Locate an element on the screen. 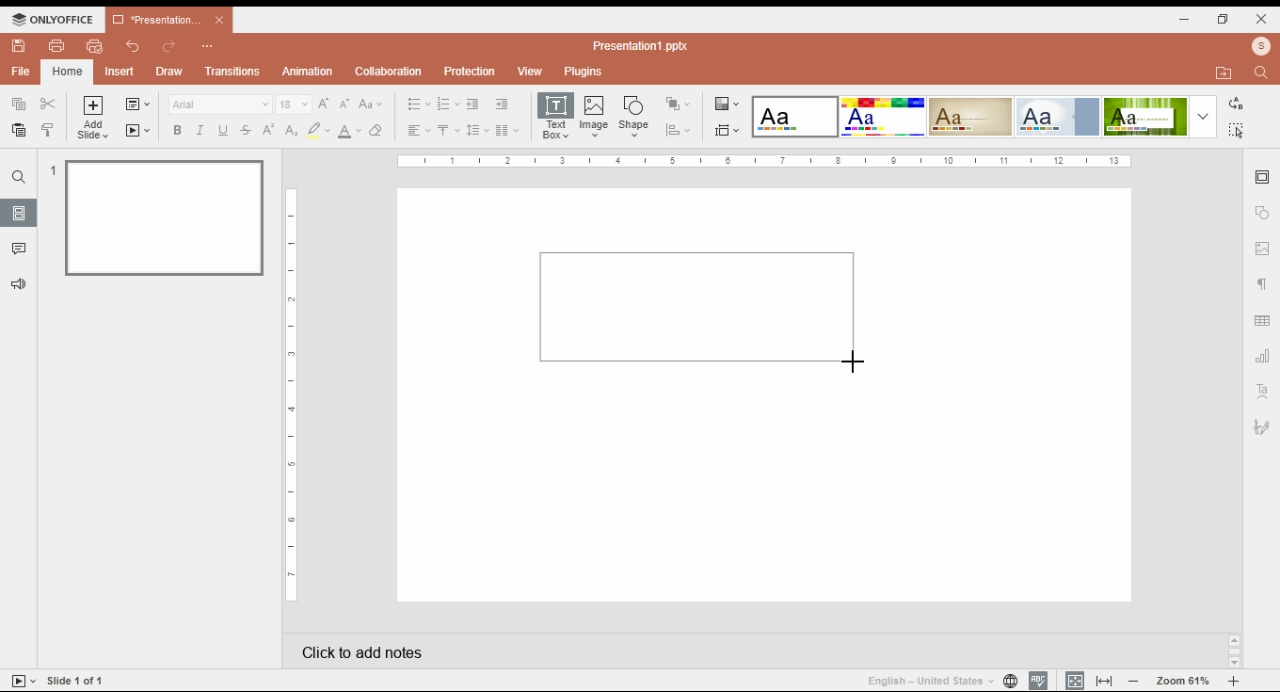  *Presentation... is located at coordinates (152, 19).